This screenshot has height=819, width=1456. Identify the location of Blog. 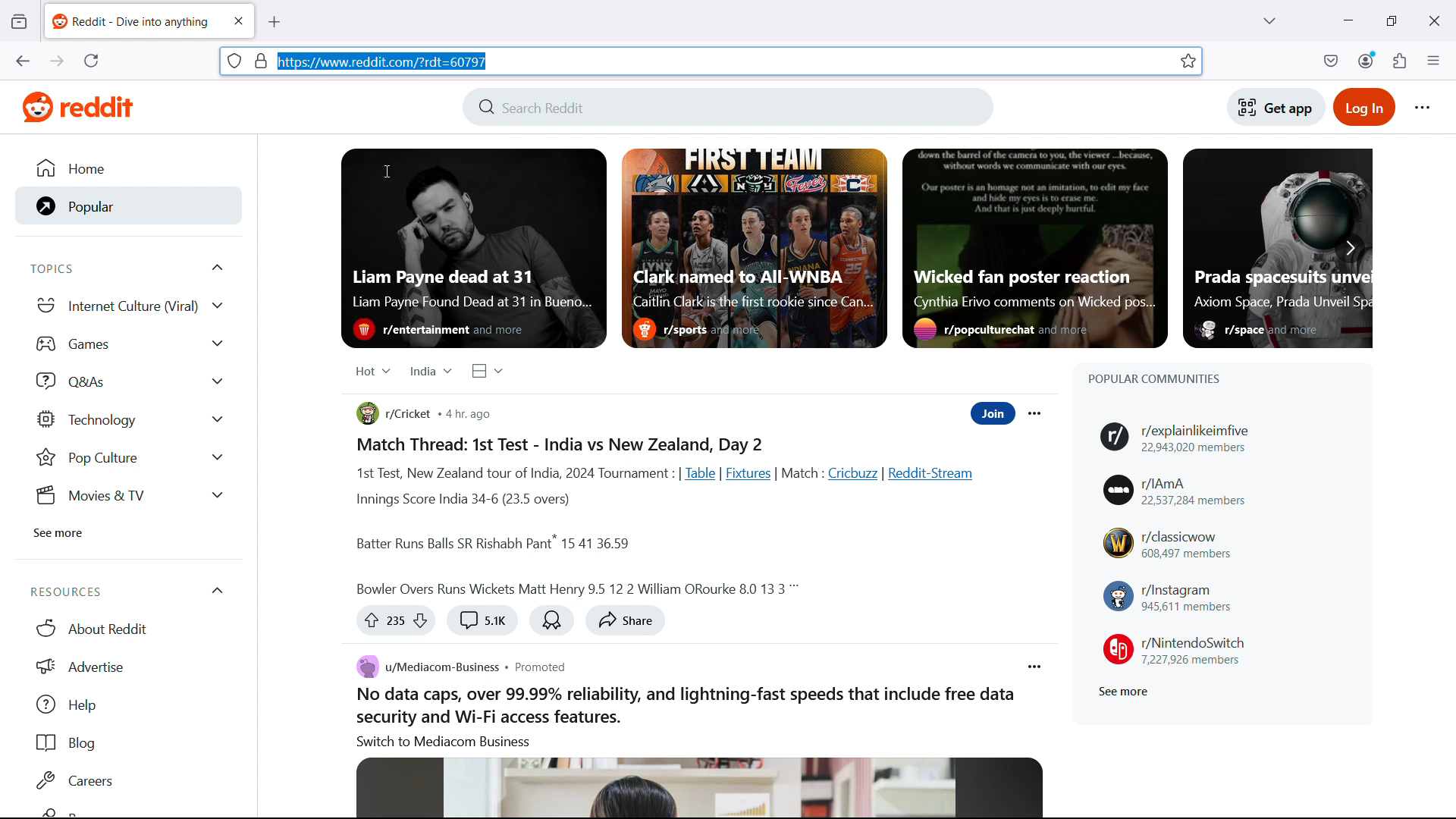
(126, 743).